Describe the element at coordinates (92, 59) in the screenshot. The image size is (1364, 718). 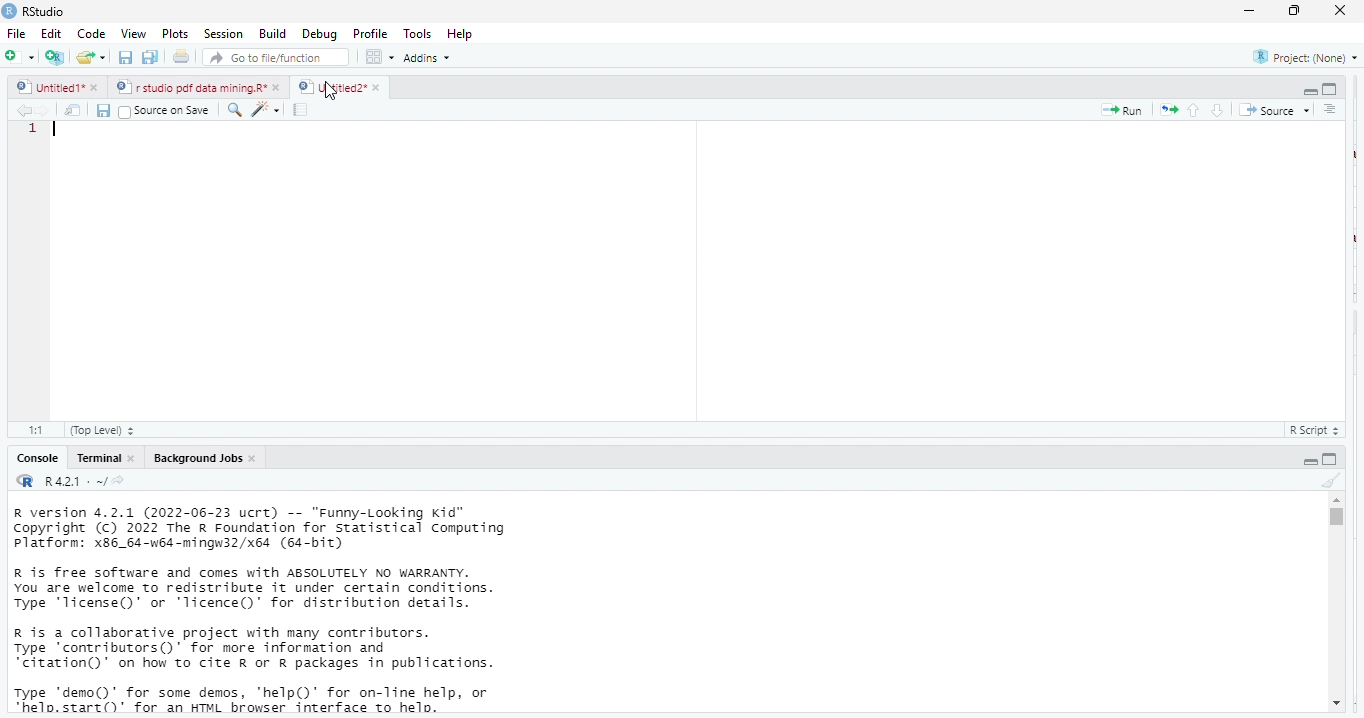
I see `open an existing file` at that location.